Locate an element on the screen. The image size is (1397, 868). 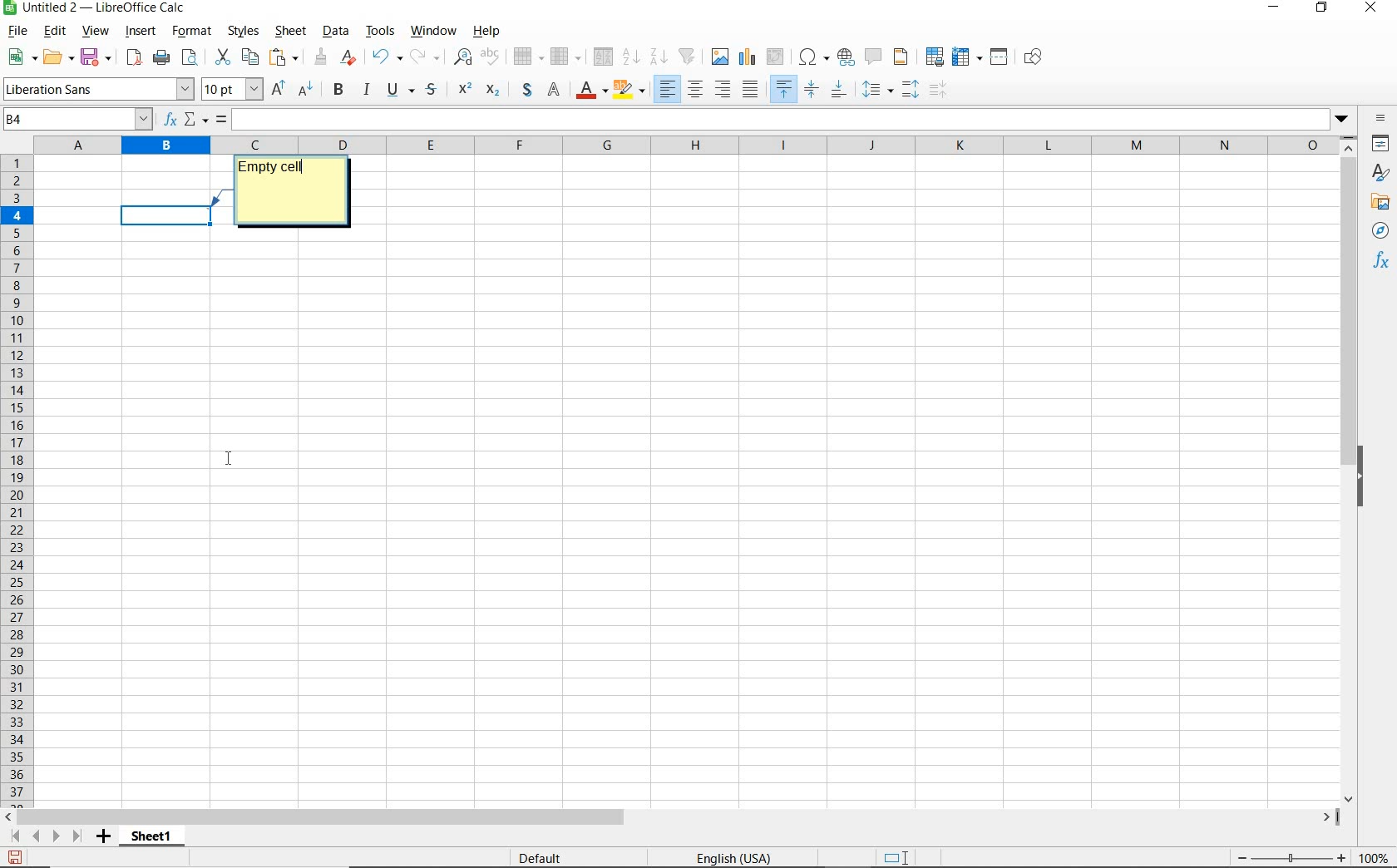
Superscript: Used to write exponents is located at coordinates (492, 88).